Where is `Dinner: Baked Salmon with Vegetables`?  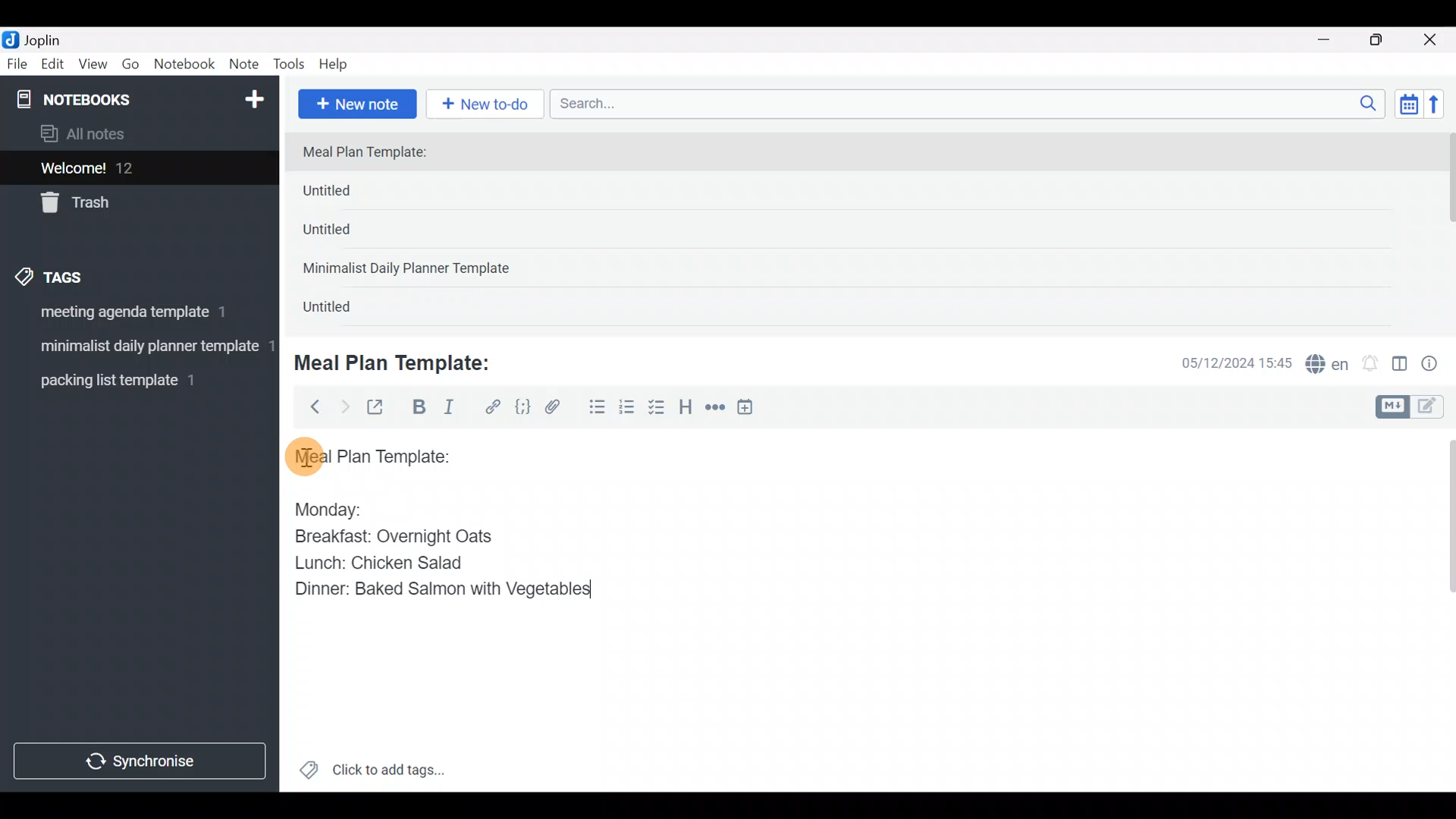 Dinner: Baked Salmon with Vegetables is located at coordinates (439, 588).